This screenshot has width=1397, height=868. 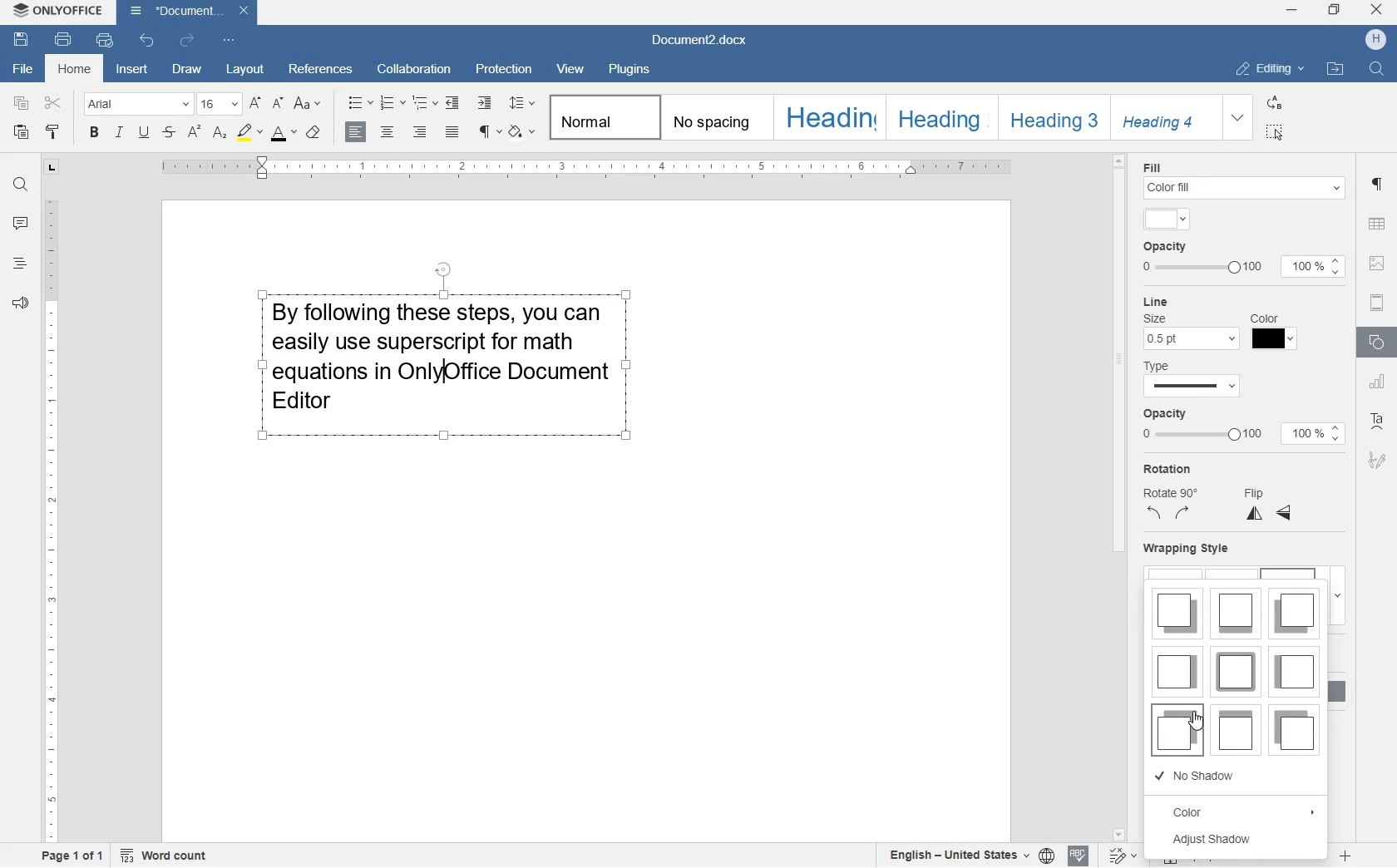 What do you see at coordinates (20, 224) in the screenshot?
I see `comments` at bounding box center [20, 224].